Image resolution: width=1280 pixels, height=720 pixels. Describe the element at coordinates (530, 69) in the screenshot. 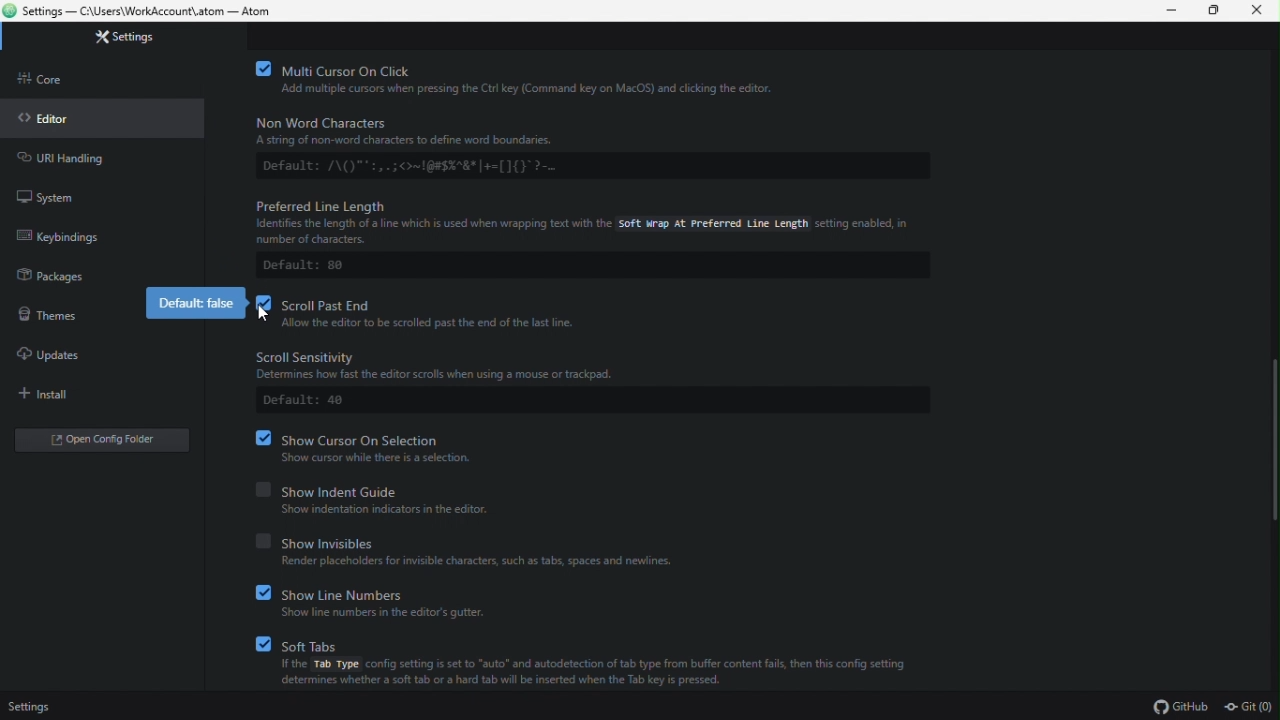

I see `multi cursor on click` at that location.